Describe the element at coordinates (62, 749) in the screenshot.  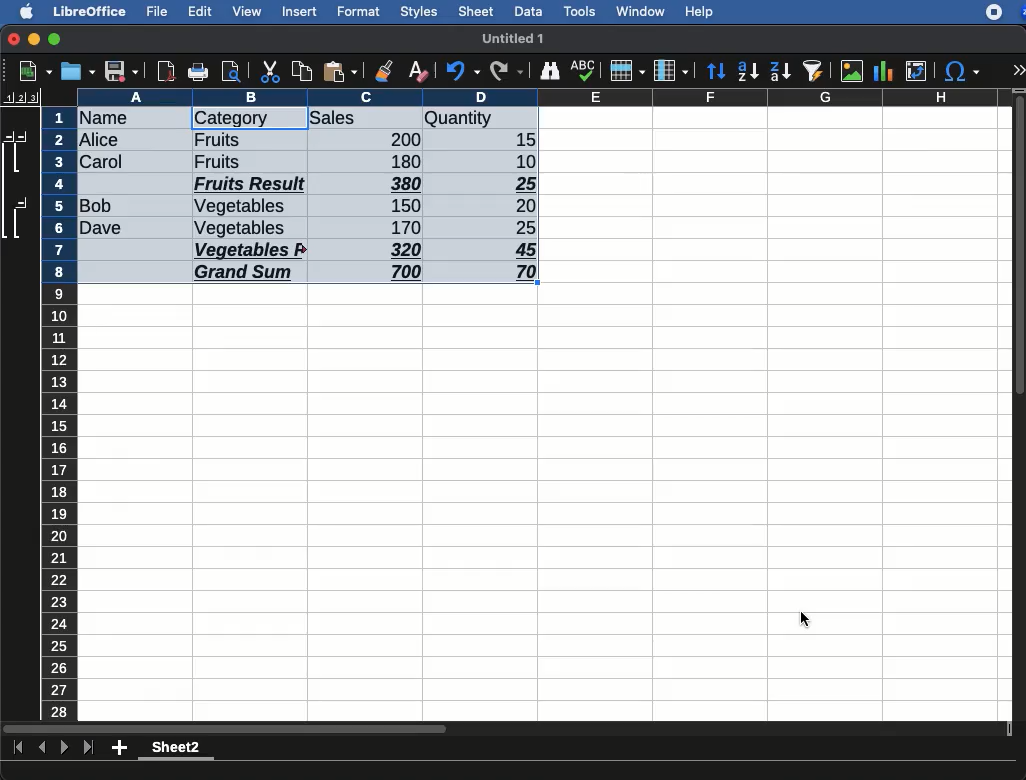
I see `next sheet` at that location.